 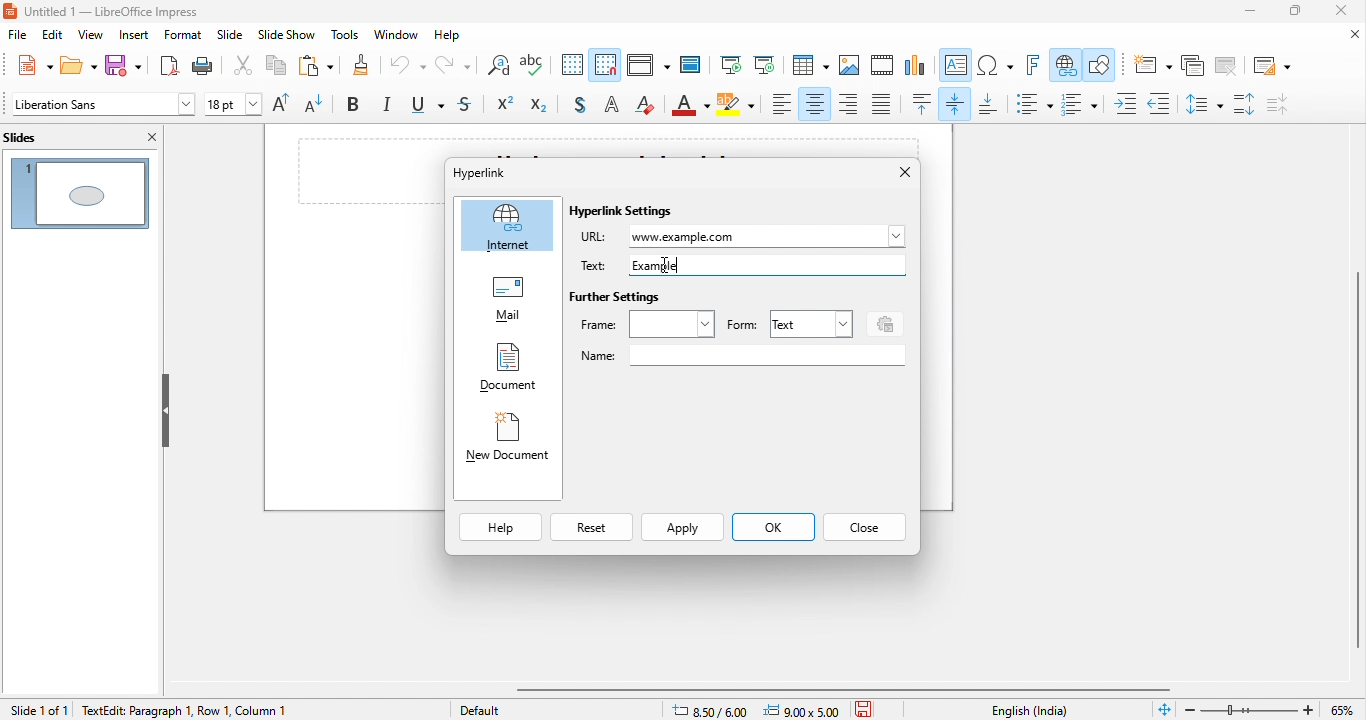 I want to click on view, so click(x=90, y=36).